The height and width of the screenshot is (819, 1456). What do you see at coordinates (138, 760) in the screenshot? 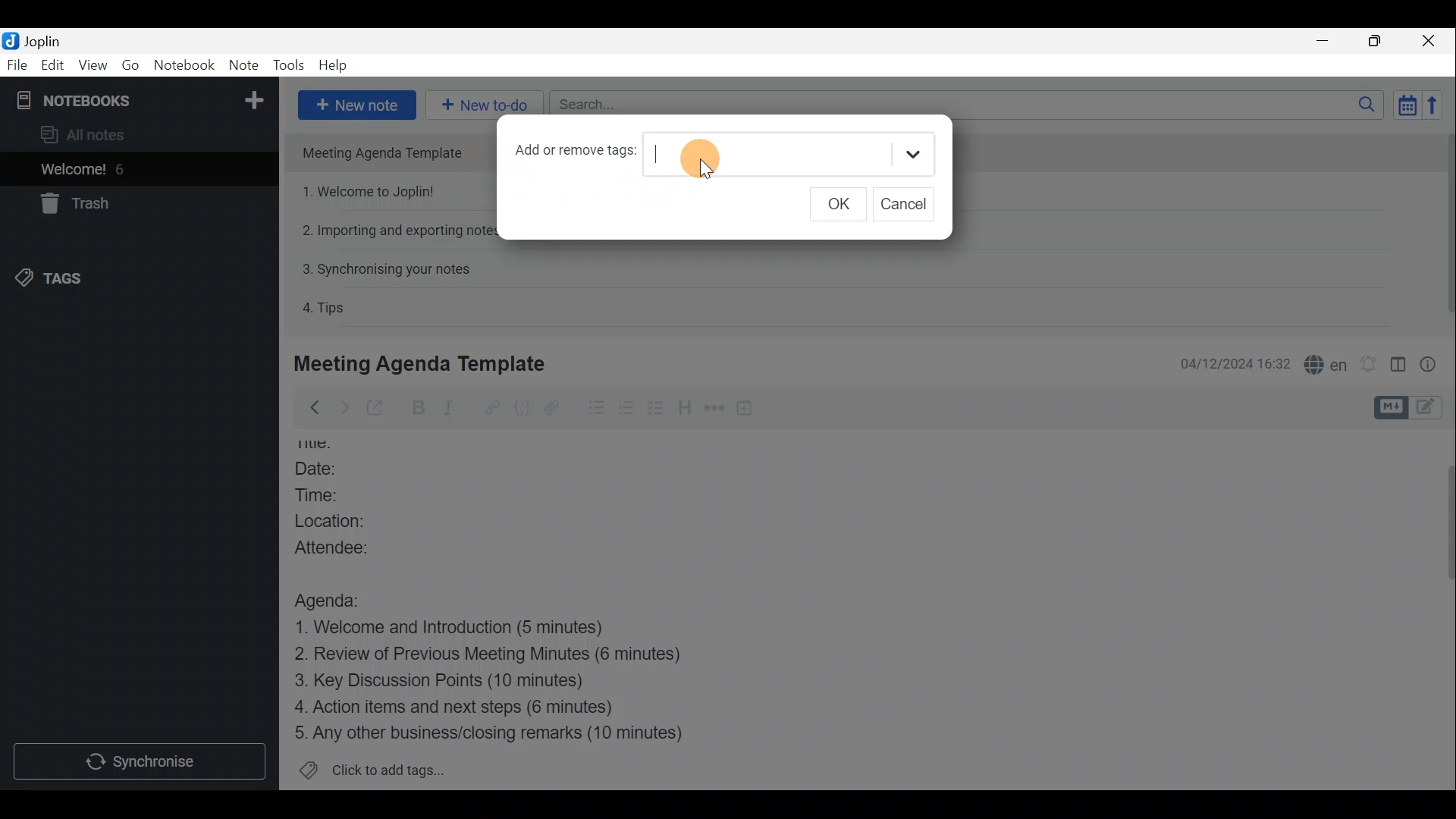
I see `Synchronise` at bounding box center [138, 760].